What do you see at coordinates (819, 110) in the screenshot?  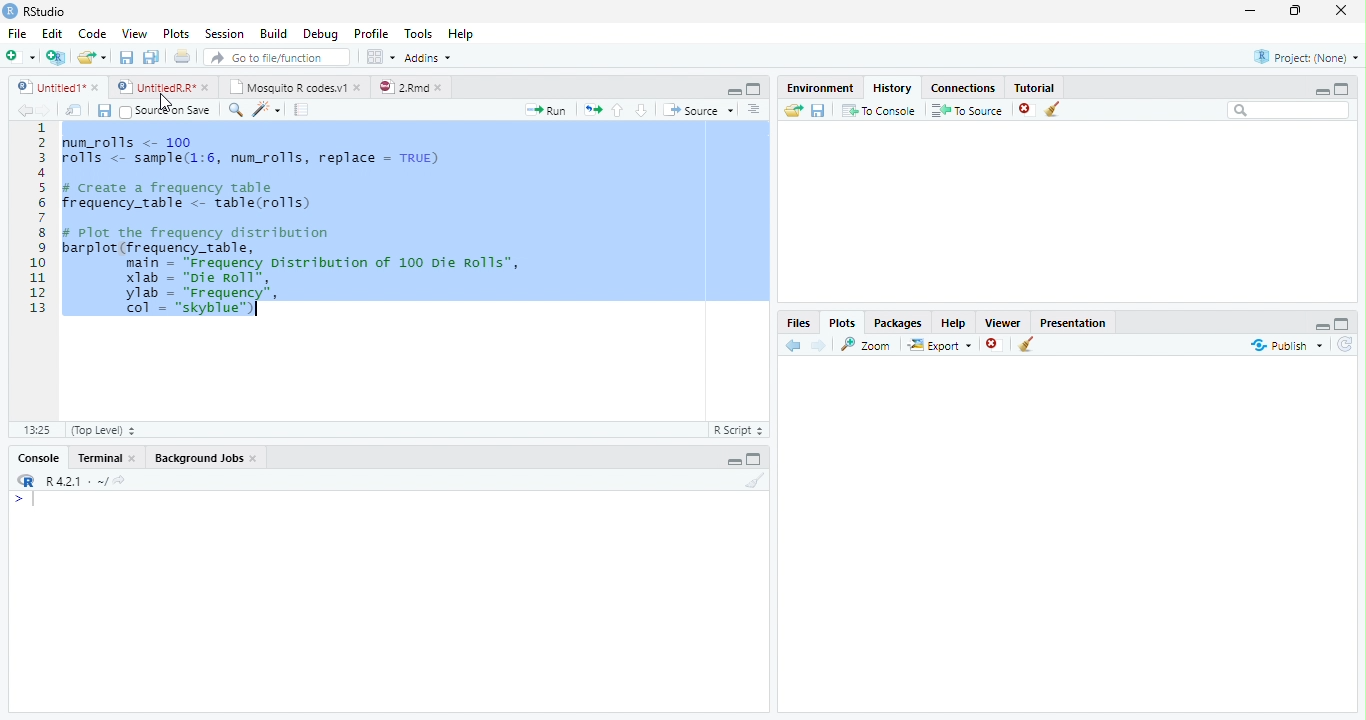 I see `Save File` at bounding box center [819, 110].